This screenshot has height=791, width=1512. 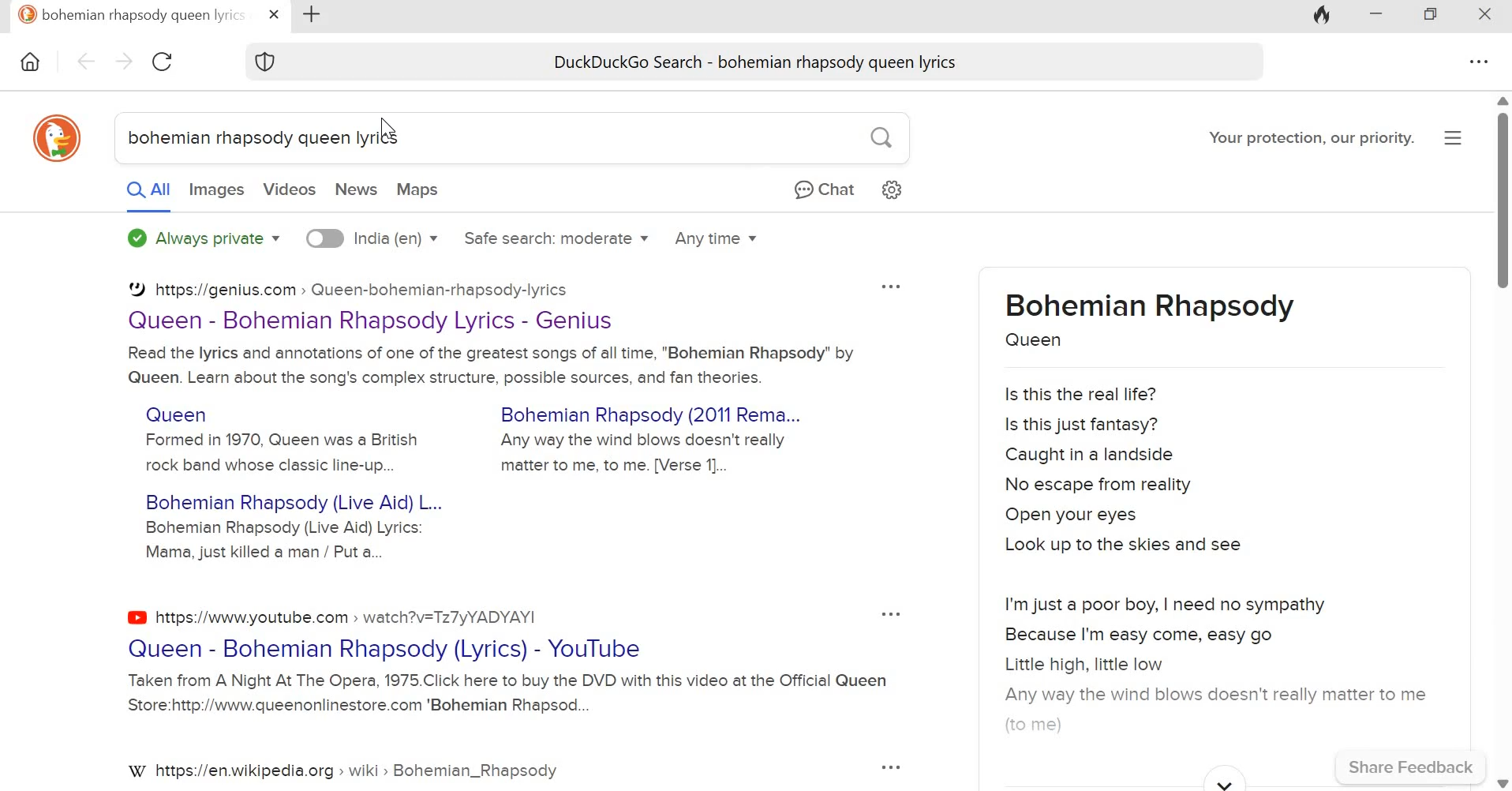 I want to click on Fire icon, so click(x=1323, y=17).